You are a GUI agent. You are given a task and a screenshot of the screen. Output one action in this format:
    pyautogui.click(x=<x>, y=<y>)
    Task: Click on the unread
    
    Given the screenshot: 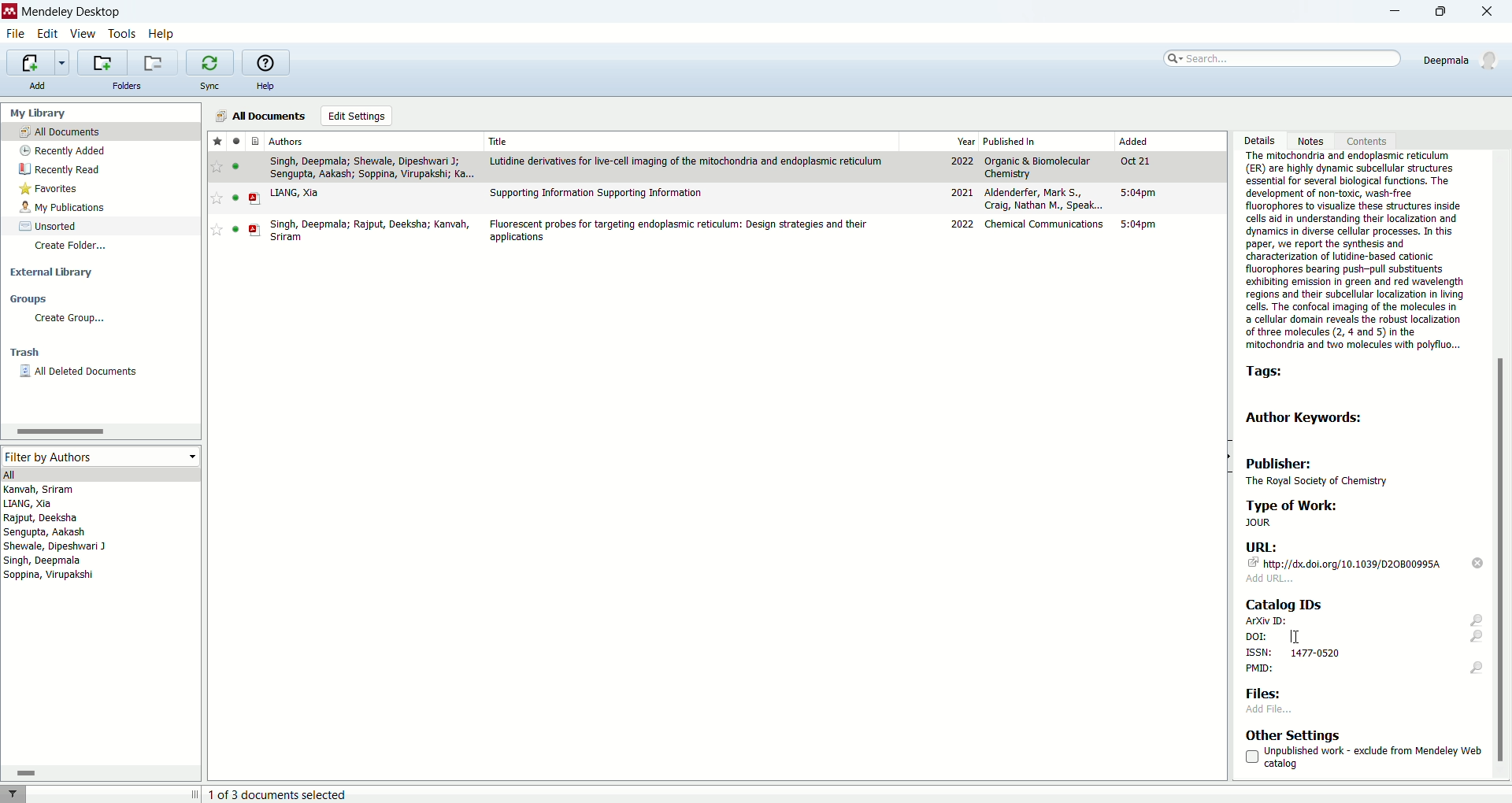 What is the action you would take?
    pyautogui.click(x=235, y=229)
    